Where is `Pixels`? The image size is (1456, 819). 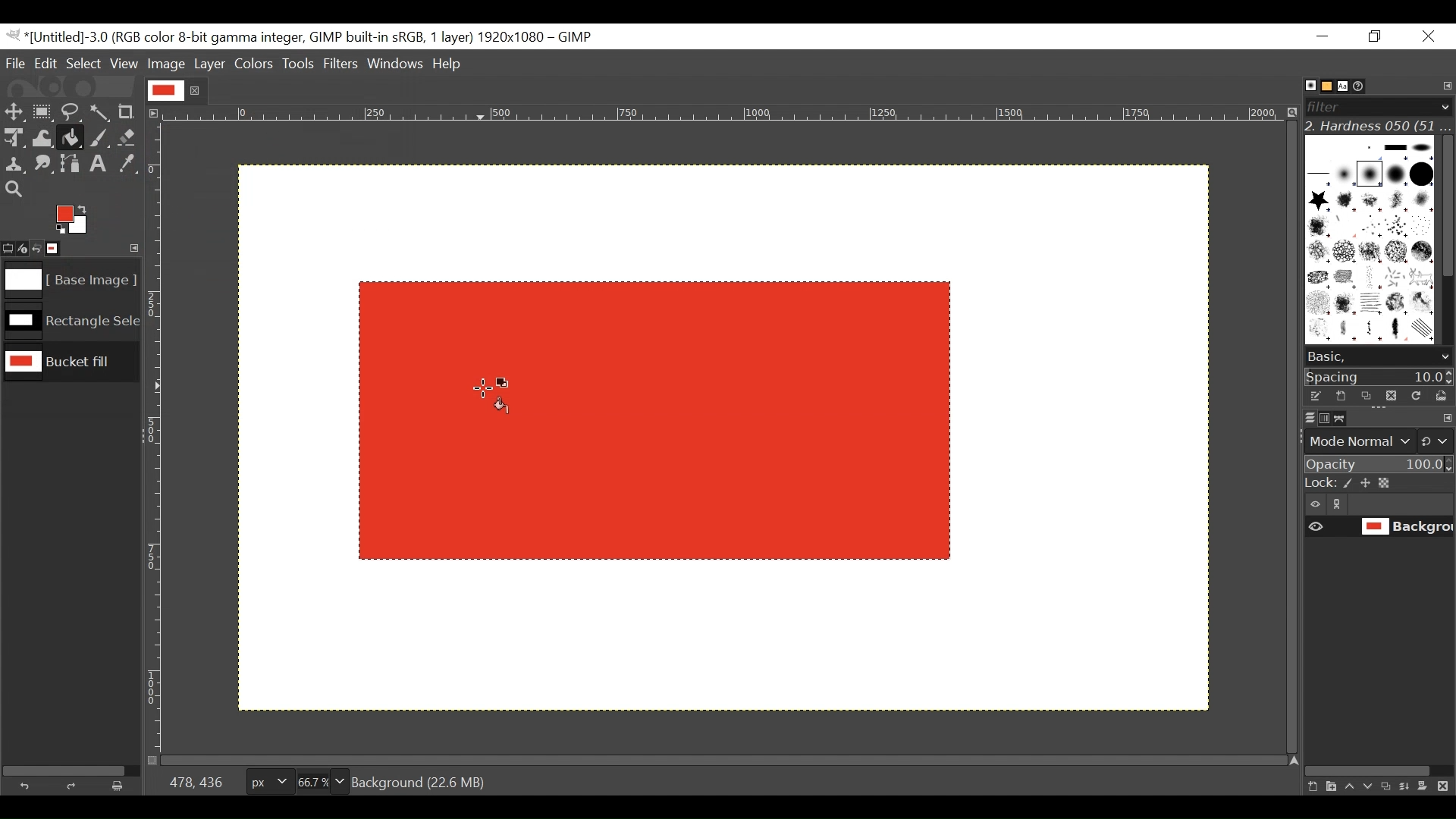 Pixels is located at coordinates (266, 779).